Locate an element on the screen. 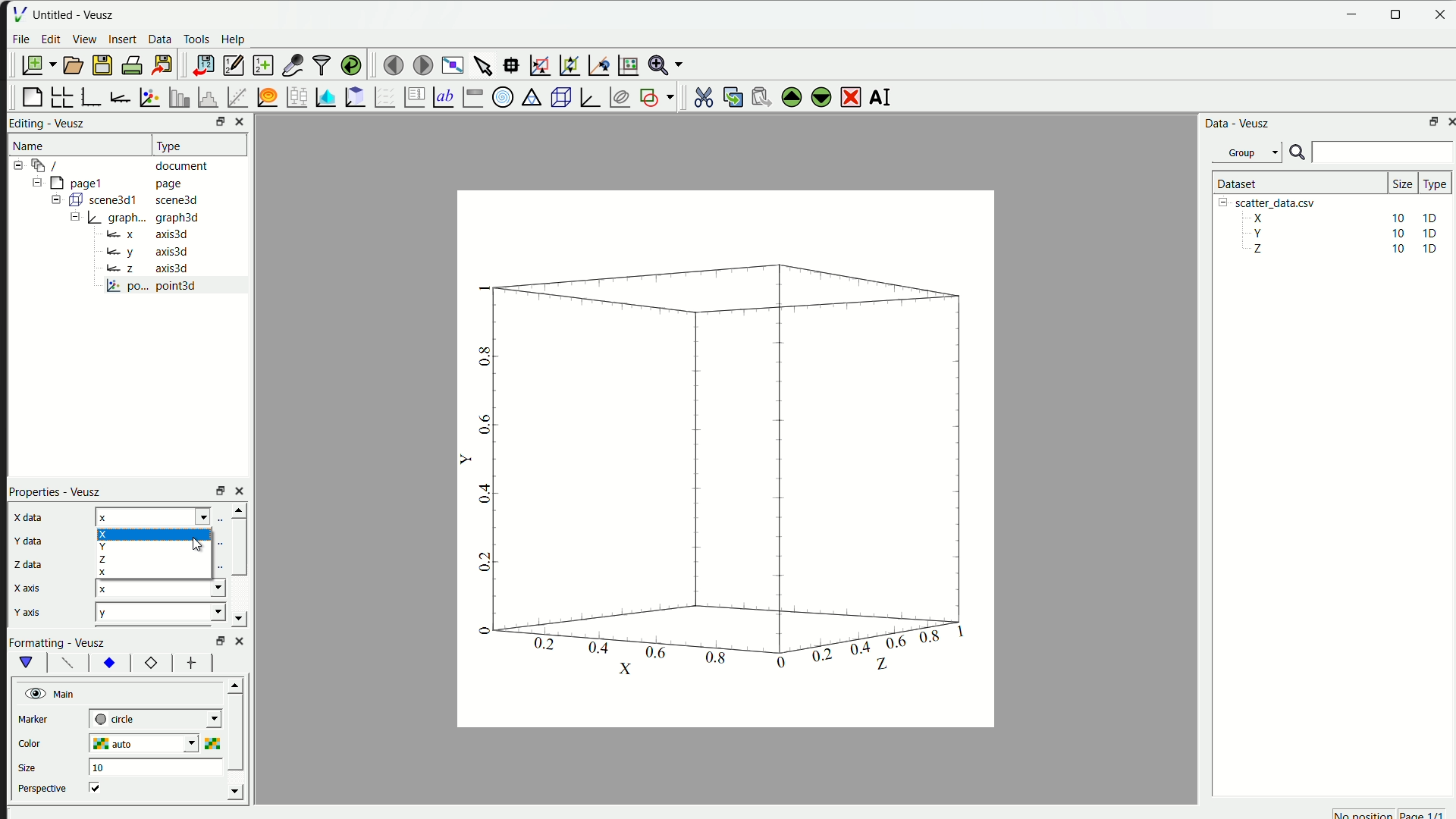 This screenshot has height=819, width=1456. search bar is located at coordinates (1385, 152).